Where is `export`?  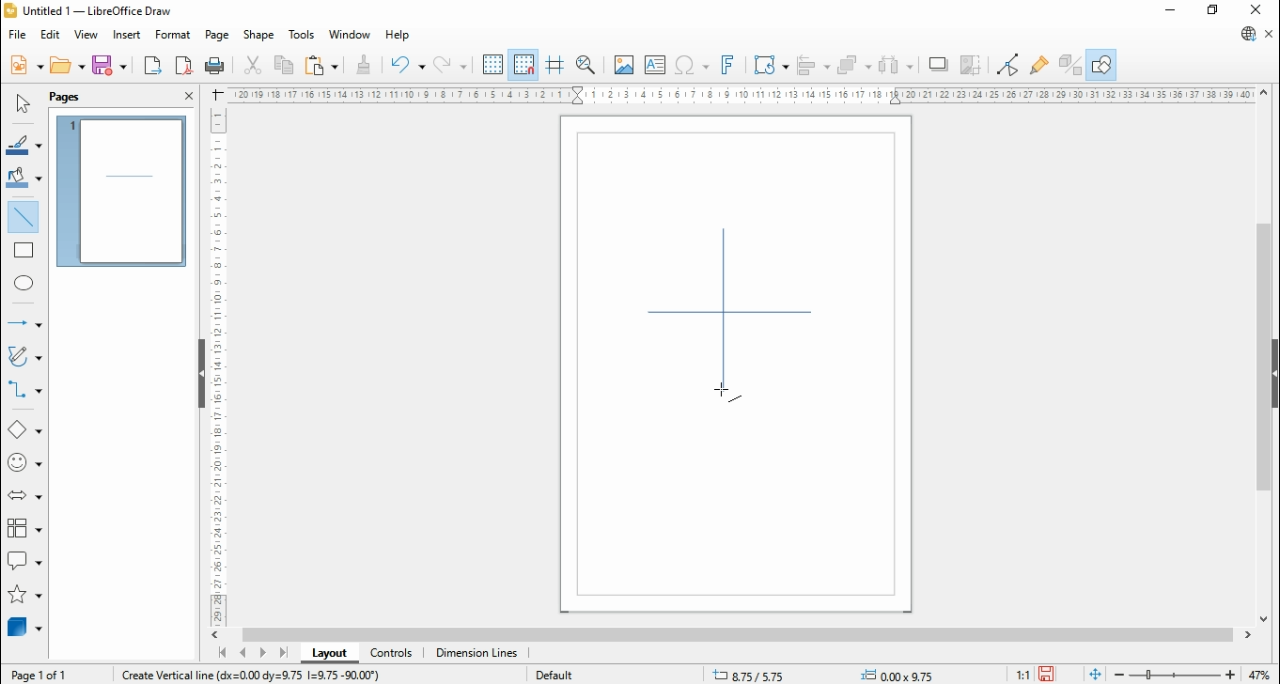
export is located at coordinates (152, 65).